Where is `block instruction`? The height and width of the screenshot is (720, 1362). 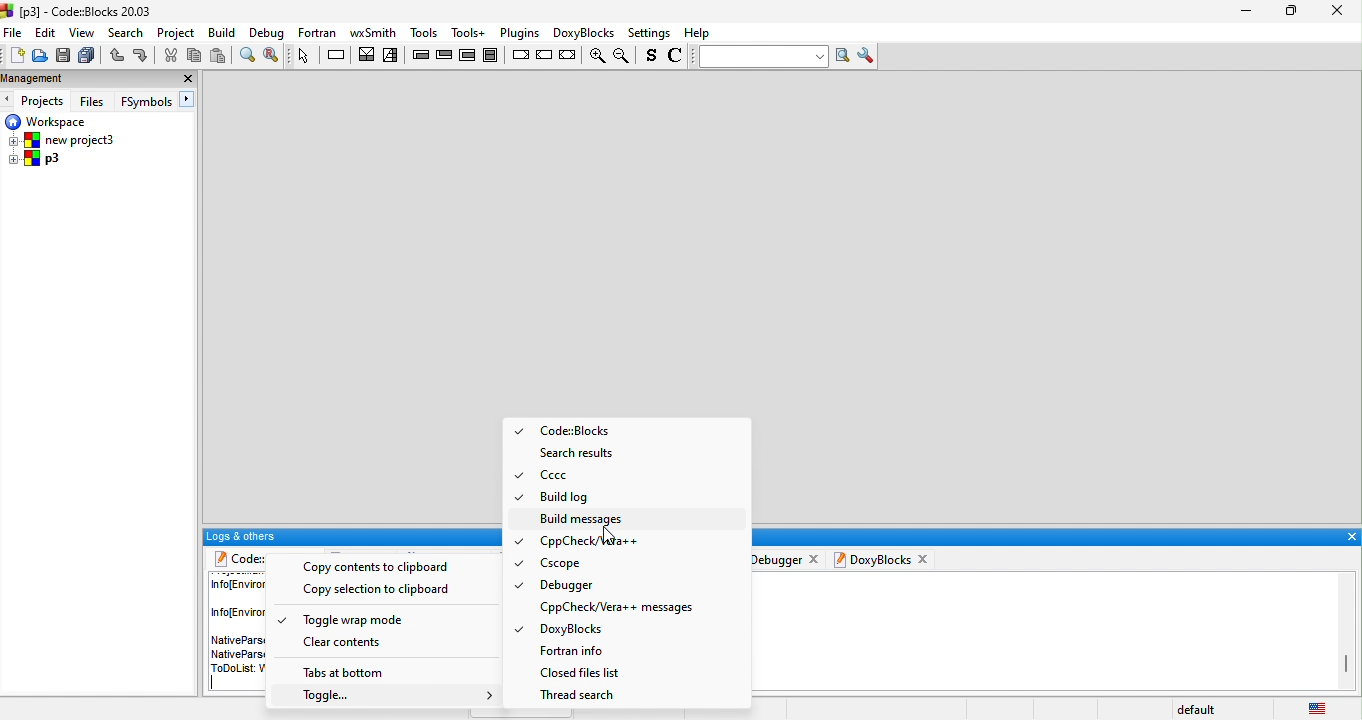
block instruction is located at coordinates (494, 55).